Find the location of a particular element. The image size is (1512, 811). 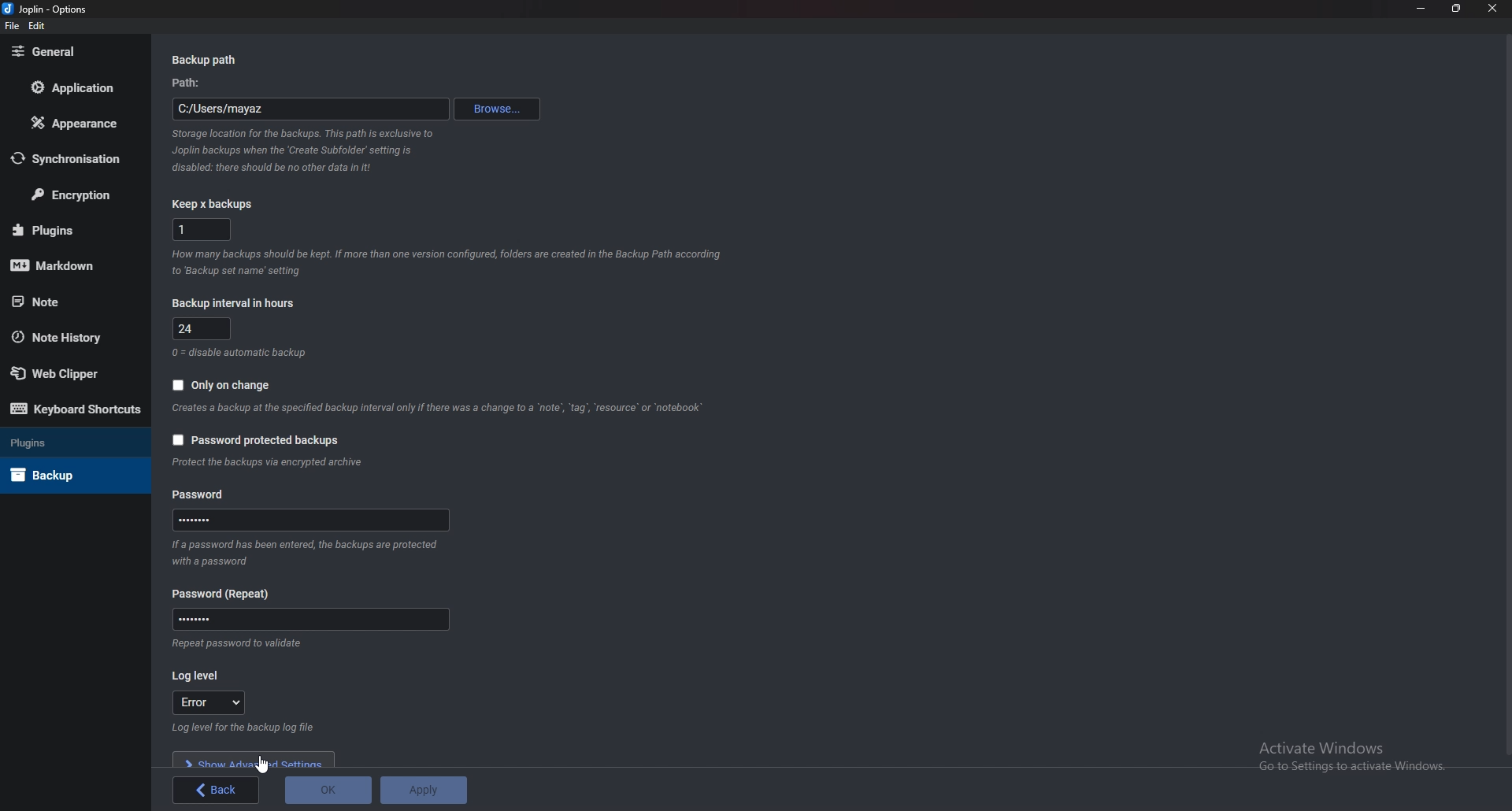

Password is located at coordinates (310, 620).